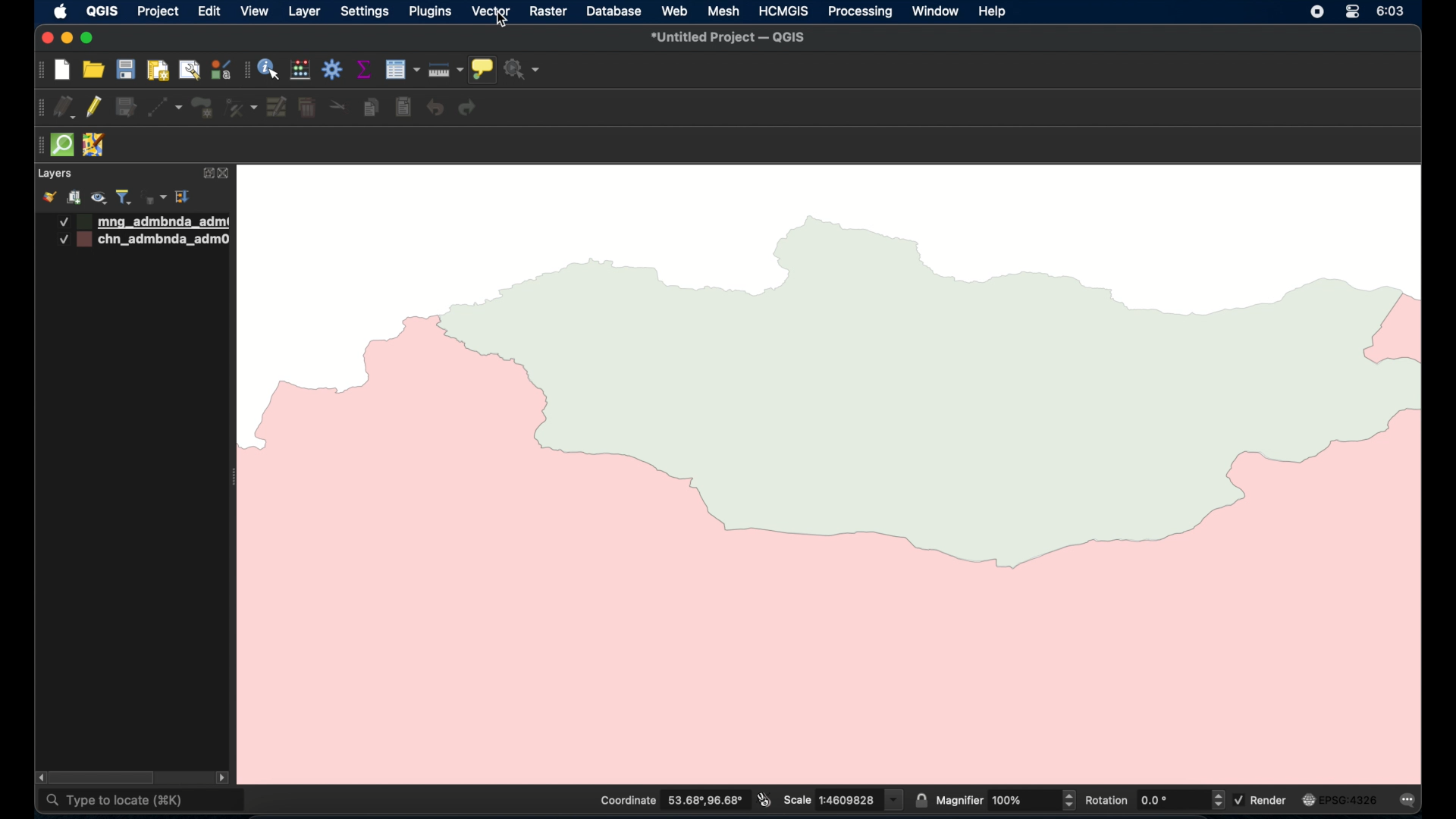 Image resolution: width=1456 pixels, height=819 pixels. What do you see at coordinates (74, 197) in the screenshot?
I see `add group` at bounding box center [74, 197].